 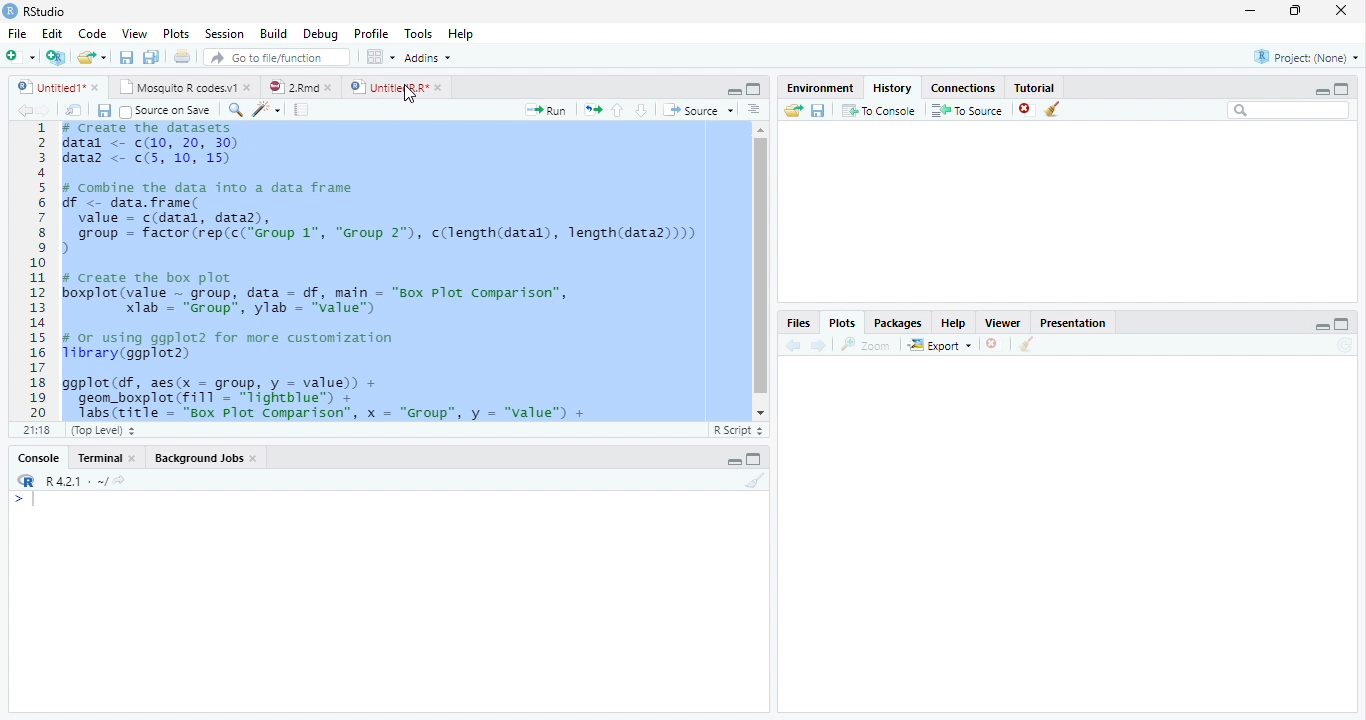 What do you see at coordinates (248, 87) in the screenshot?
I see `close` at bounding box center [248, 87].